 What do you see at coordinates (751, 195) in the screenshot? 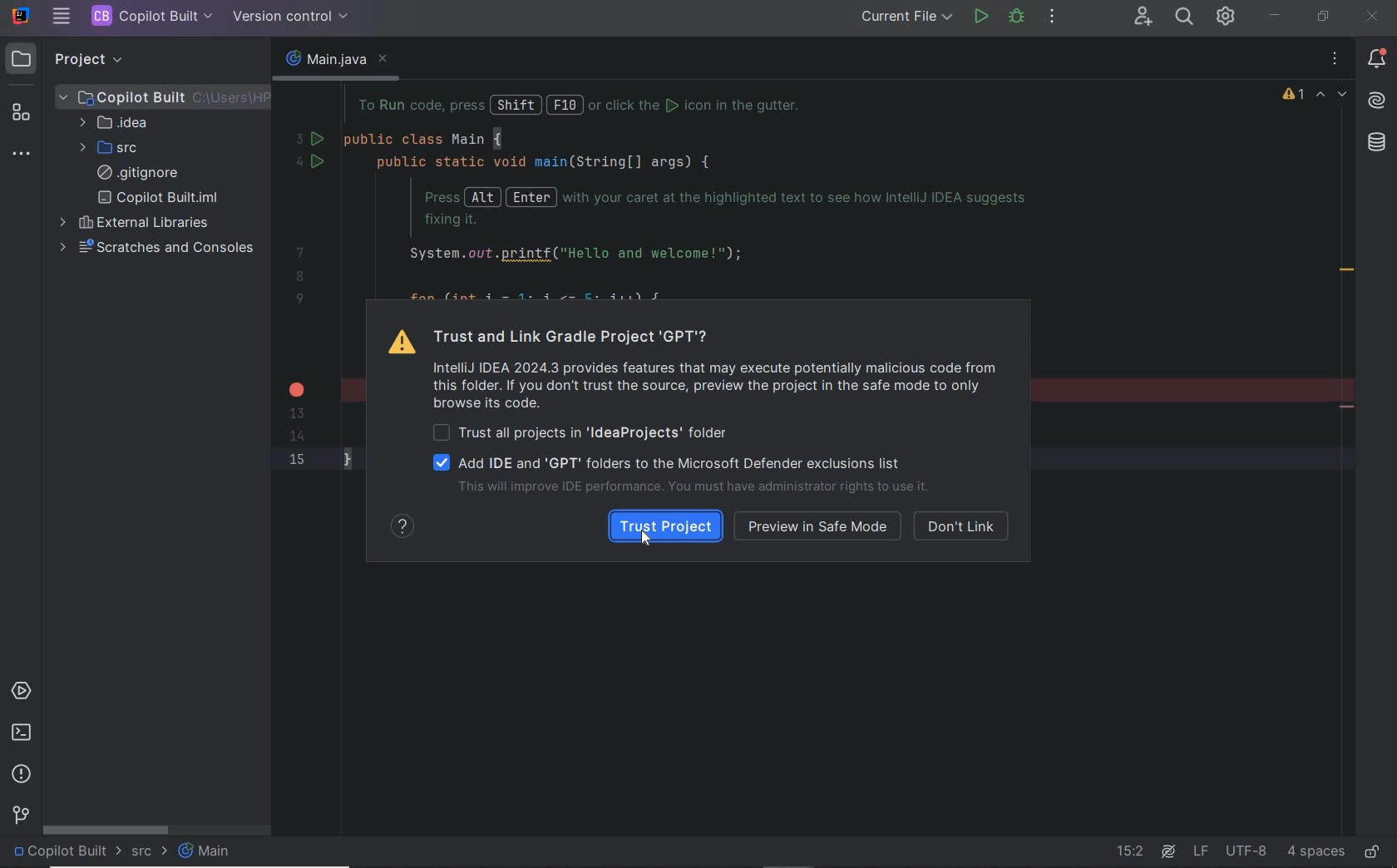
I see `codes` at bounding box center [751, 195].